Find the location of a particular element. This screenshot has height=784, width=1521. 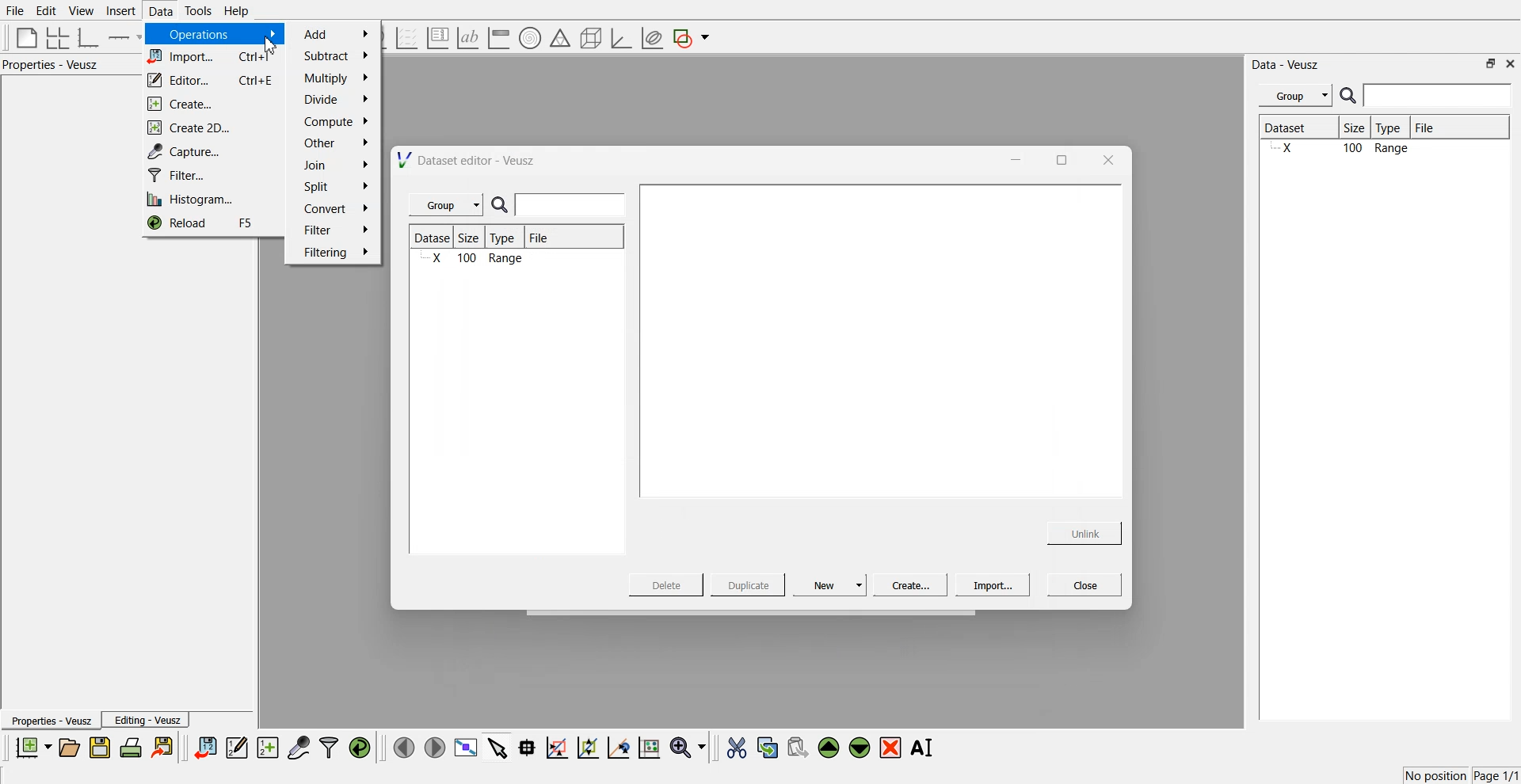

plot covariance ellipses is located at coordinates (651, 39).